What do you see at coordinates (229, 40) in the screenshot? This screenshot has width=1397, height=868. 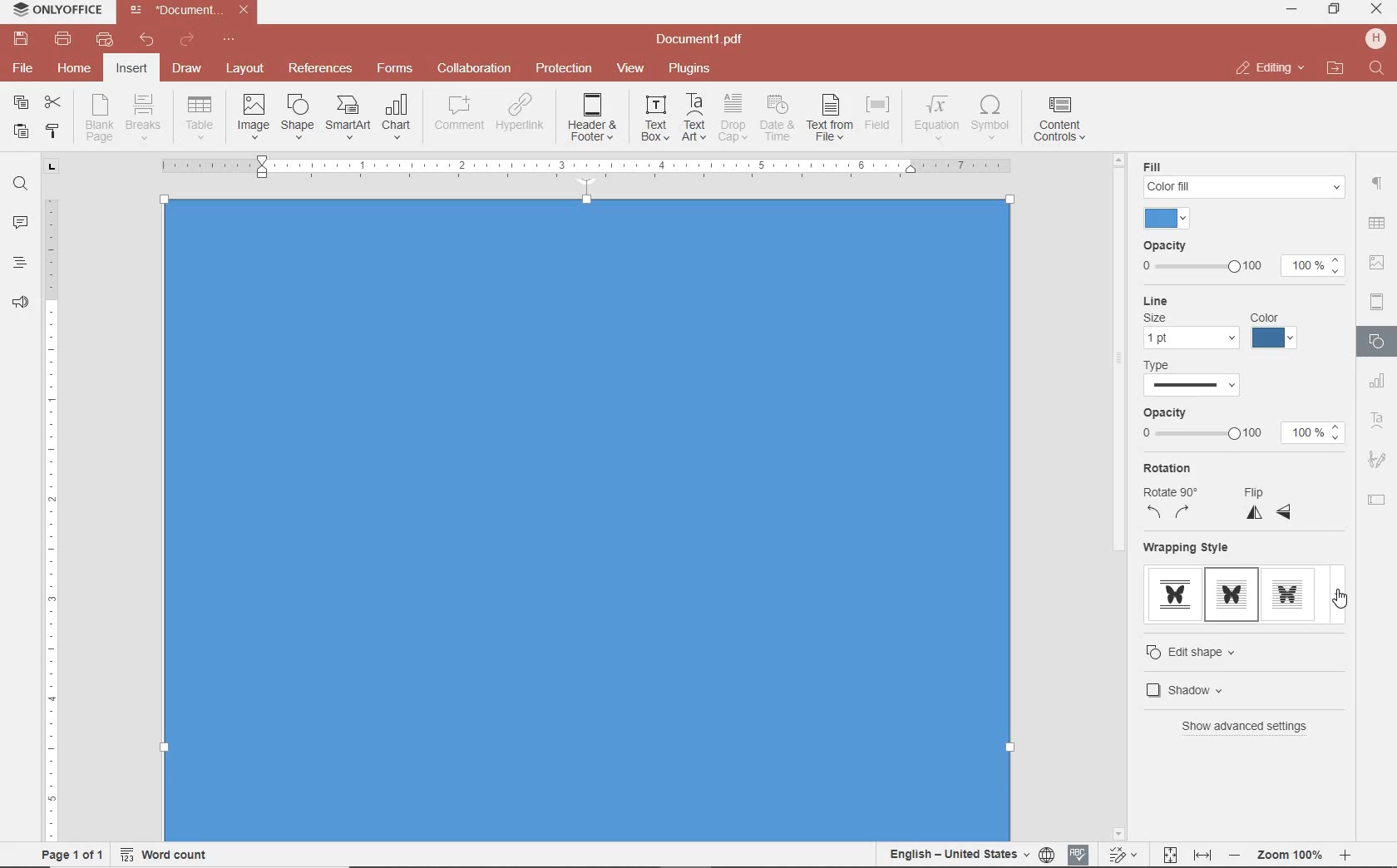 I see `customize quick access toolbar` at bounding box center [229, 40].